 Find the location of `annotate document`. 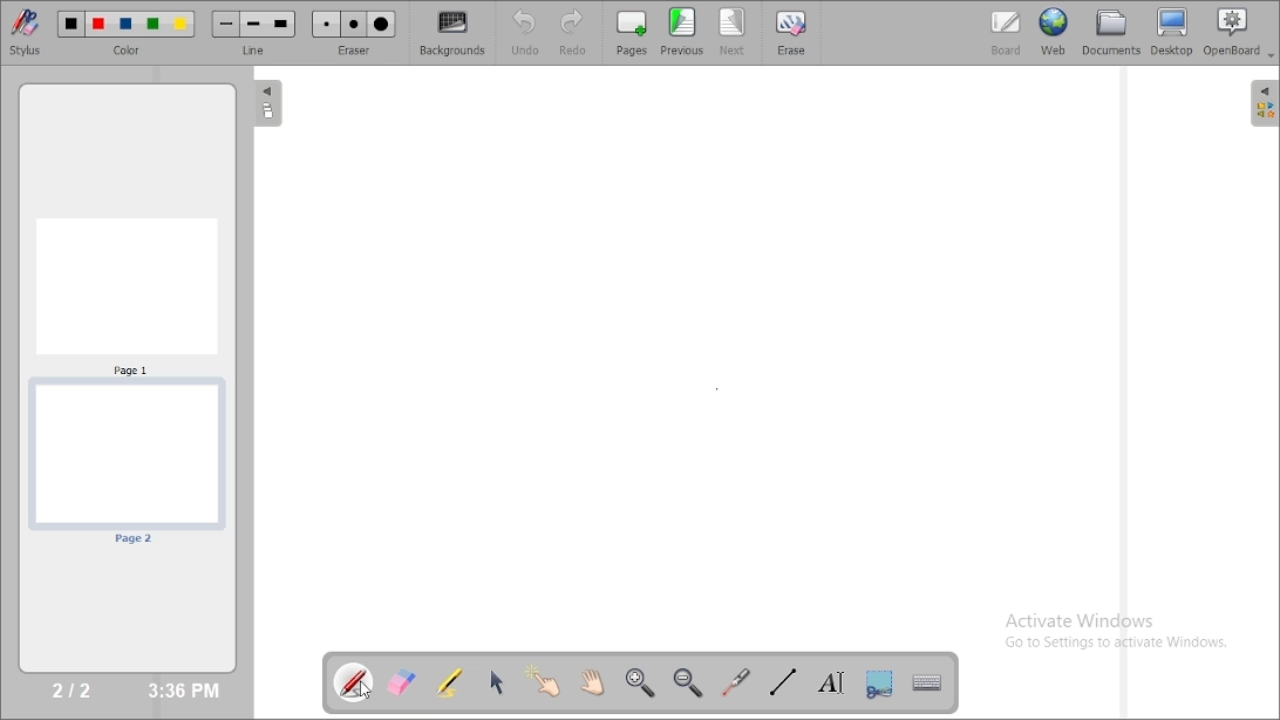

annotate document is located at coordinates (355, 683).